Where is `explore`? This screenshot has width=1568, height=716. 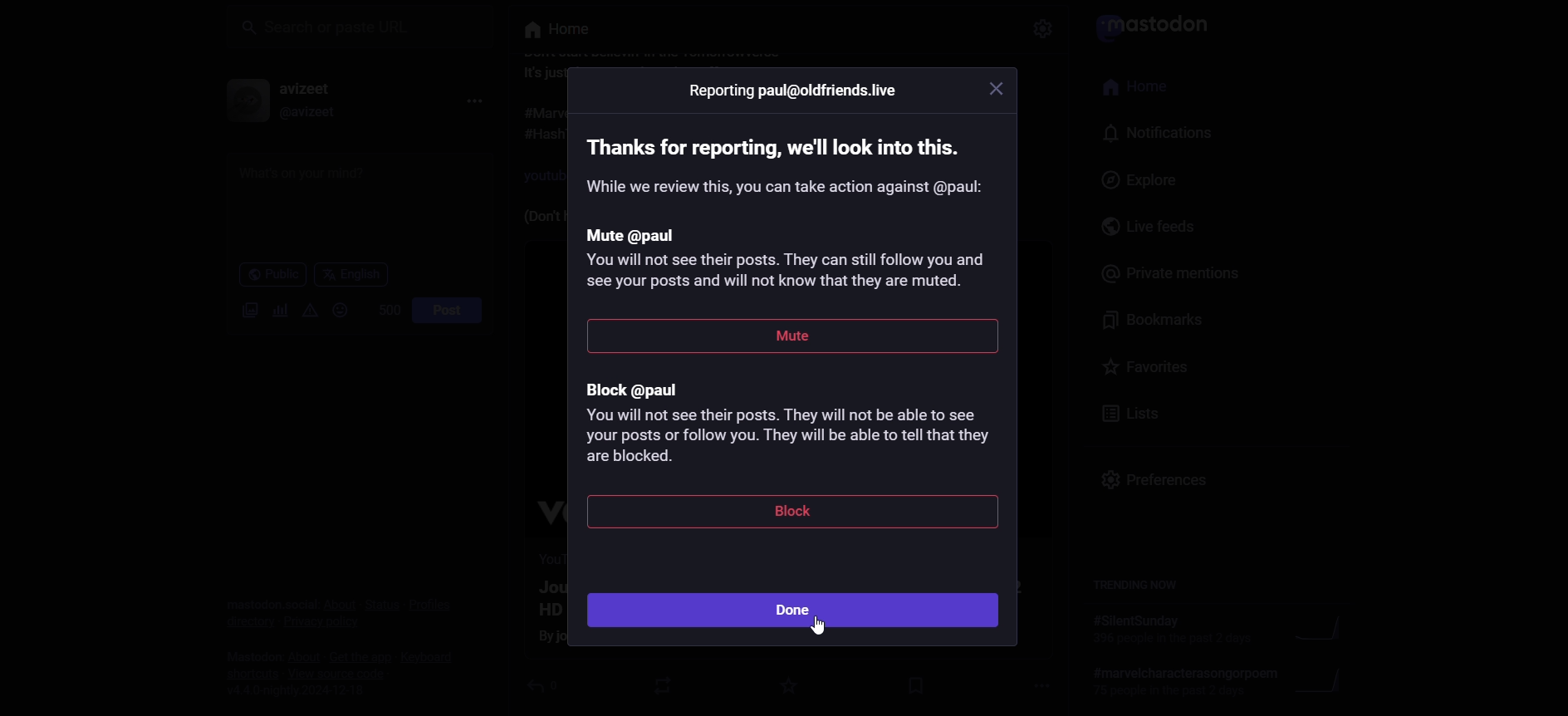 explore is located at coordinates (1136, 180).